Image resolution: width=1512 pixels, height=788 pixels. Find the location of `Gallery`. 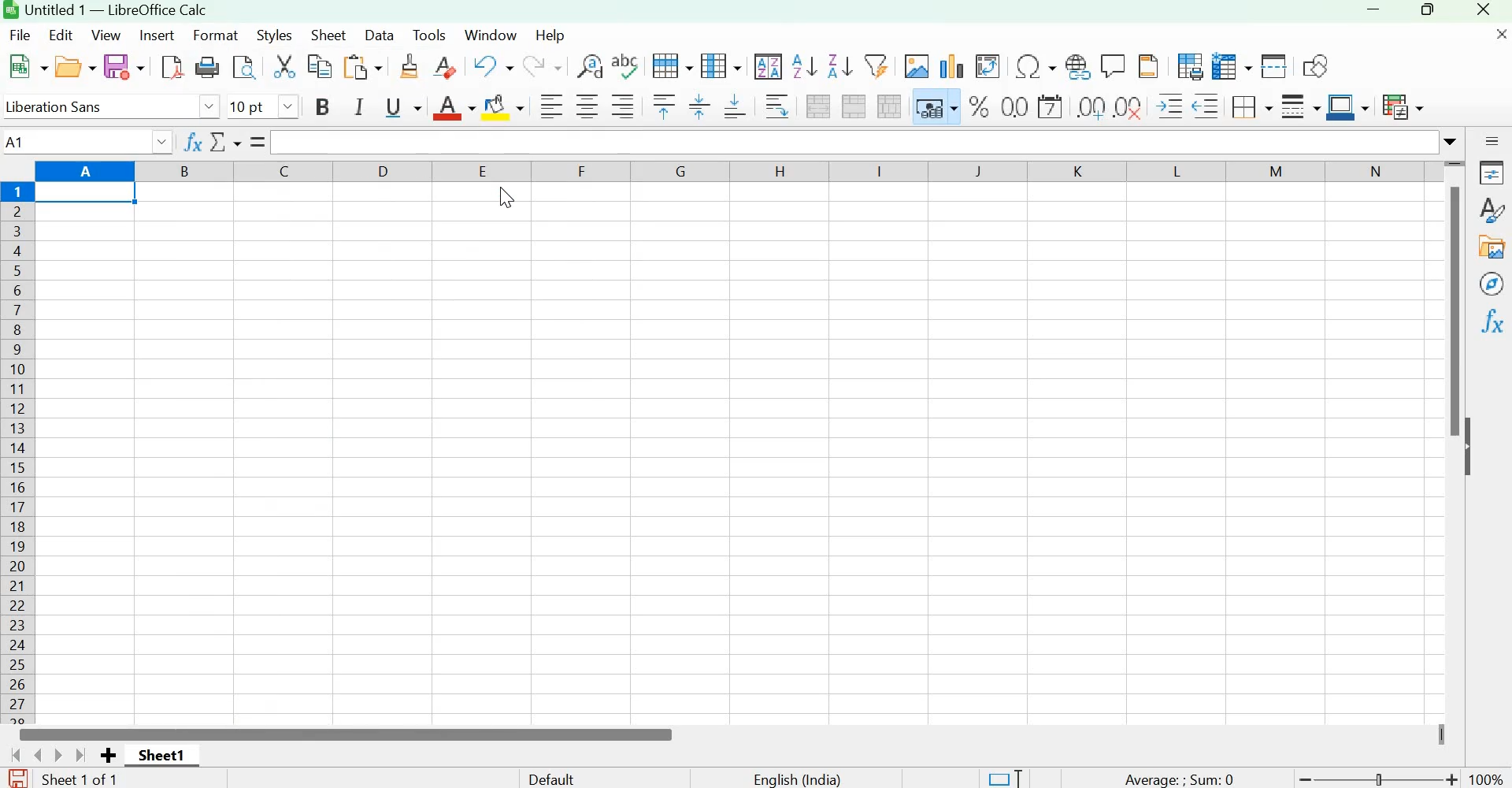

Gallery is located at coordinates (1492, 248).